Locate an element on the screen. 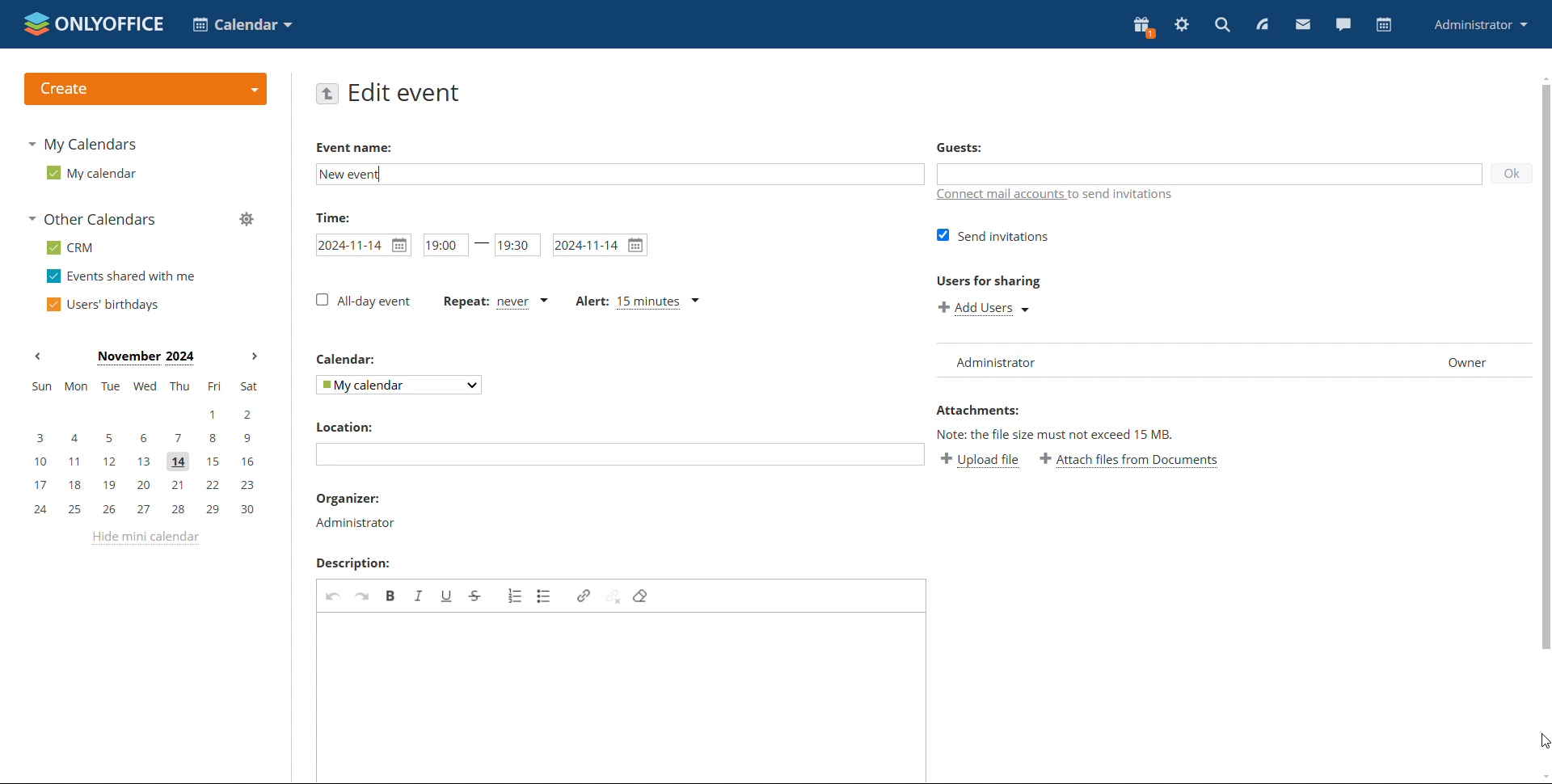  crm is located at coordinates (70, 248).